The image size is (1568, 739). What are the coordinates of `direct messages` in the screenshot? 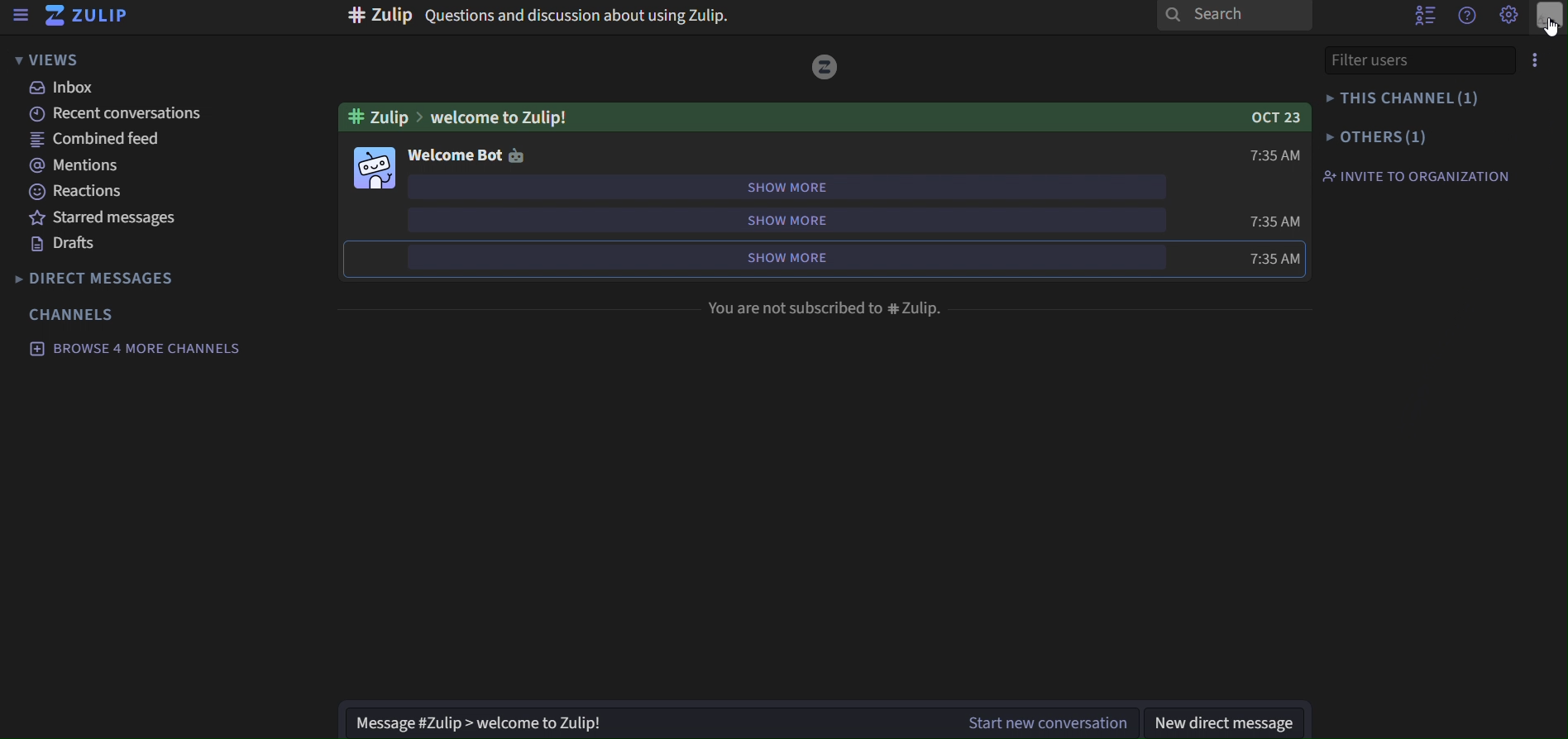 It's located at (100, 279).